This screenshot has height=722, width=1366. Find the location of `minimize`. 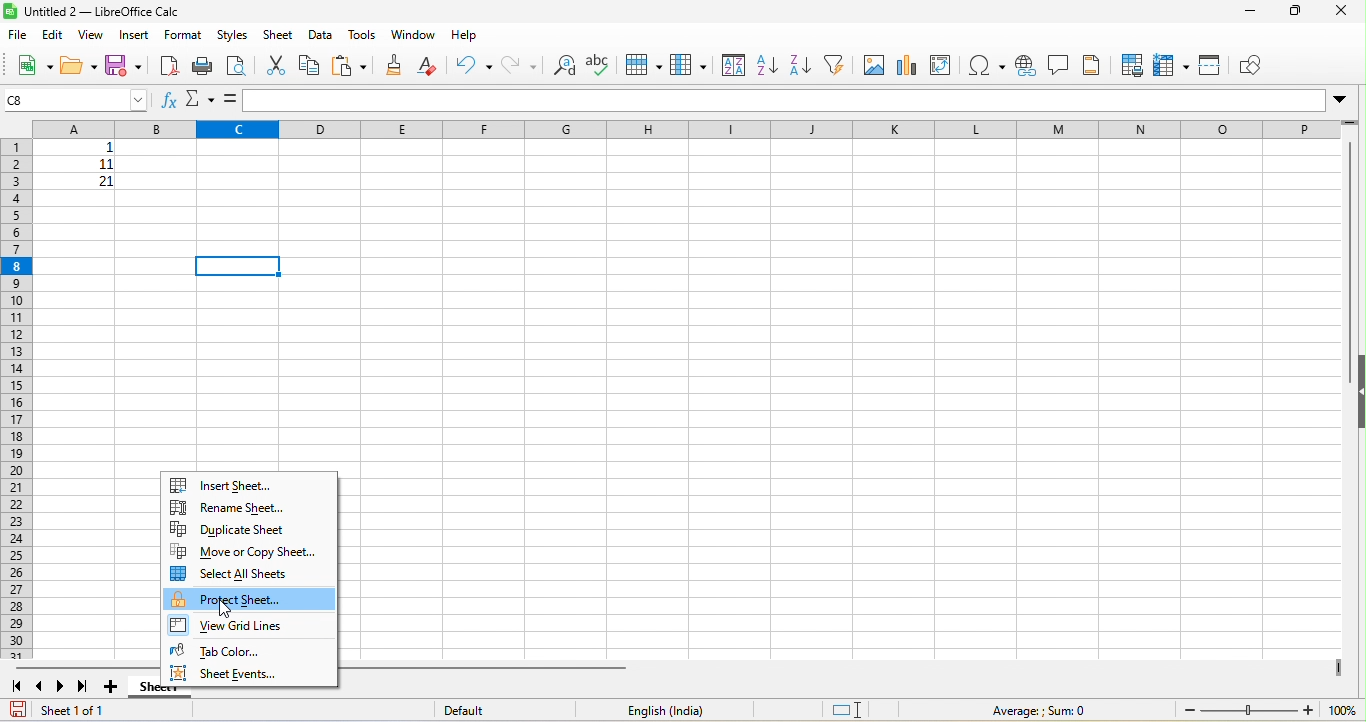

minimize is located at coordinates (1253, 12).